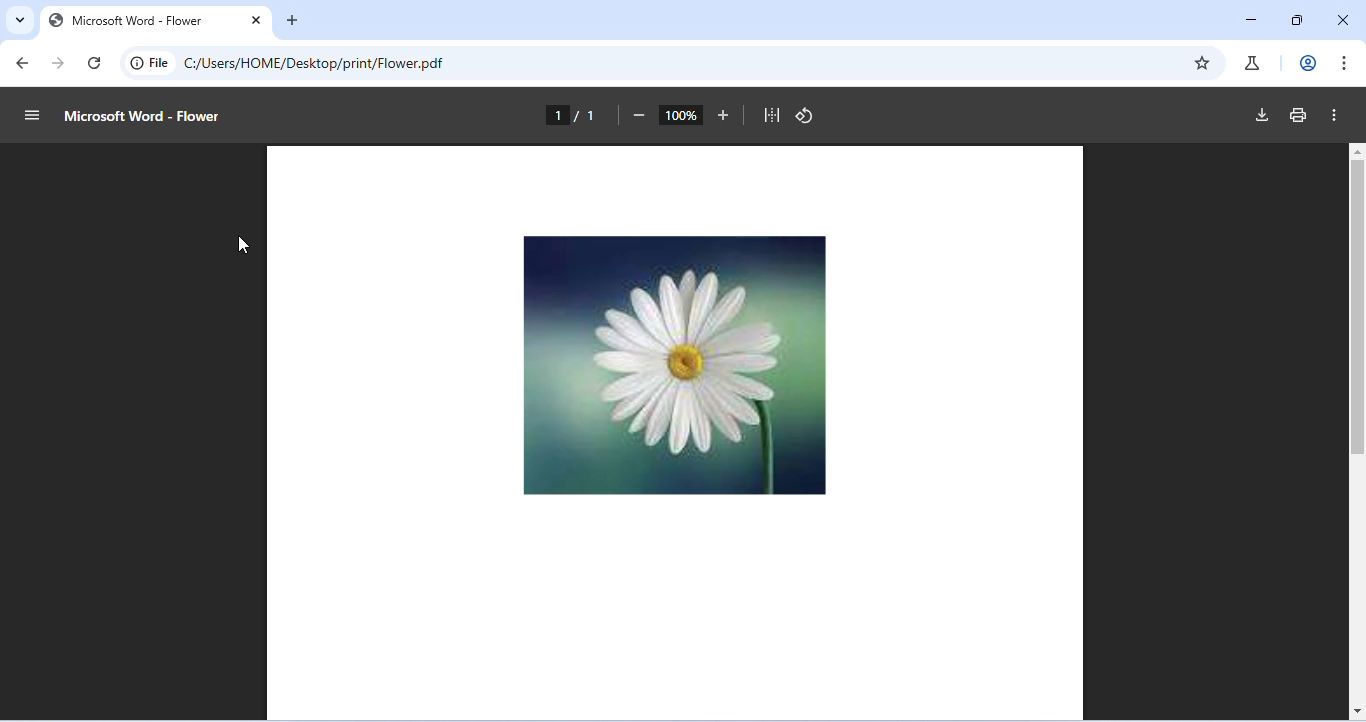 The image size is (1366, 722). I want to click on rotate counterclockwise, so click(806, 114).